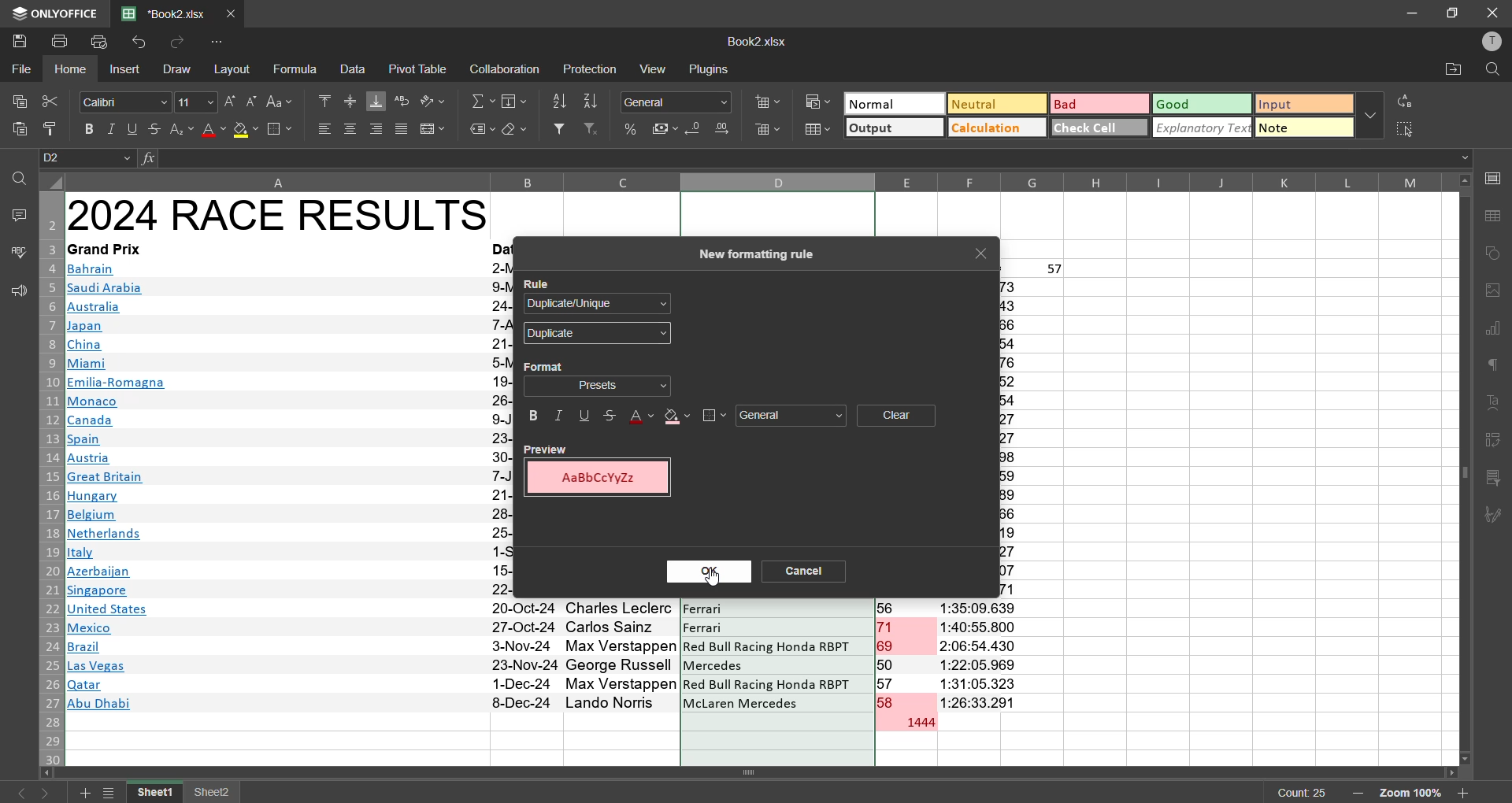 This screenshot has width=1512, height=803. I want to click on remove cells, so click(769, 132).